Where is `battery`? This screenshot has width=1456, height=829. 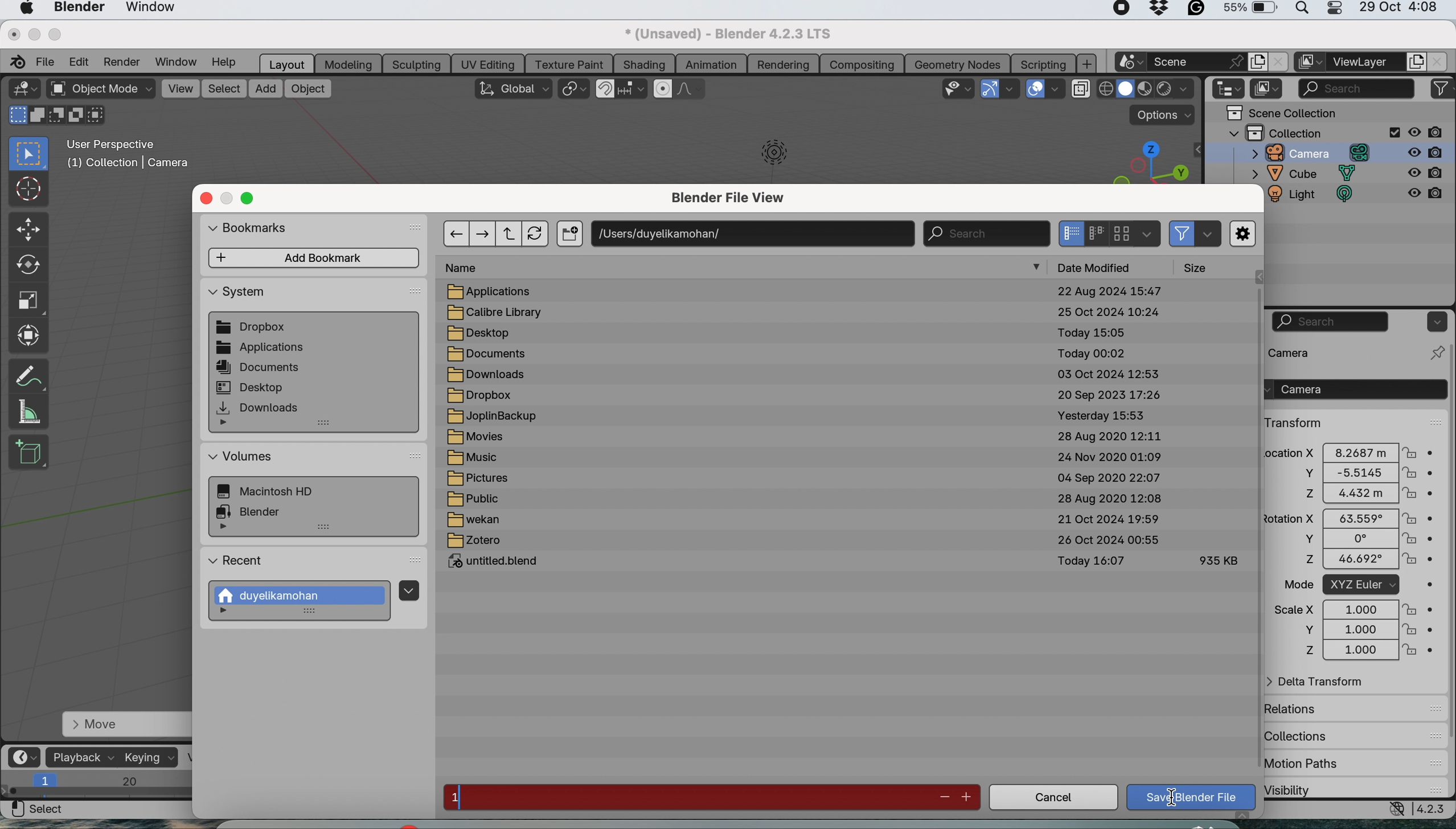
battery is located at coordinates (1249, 10).